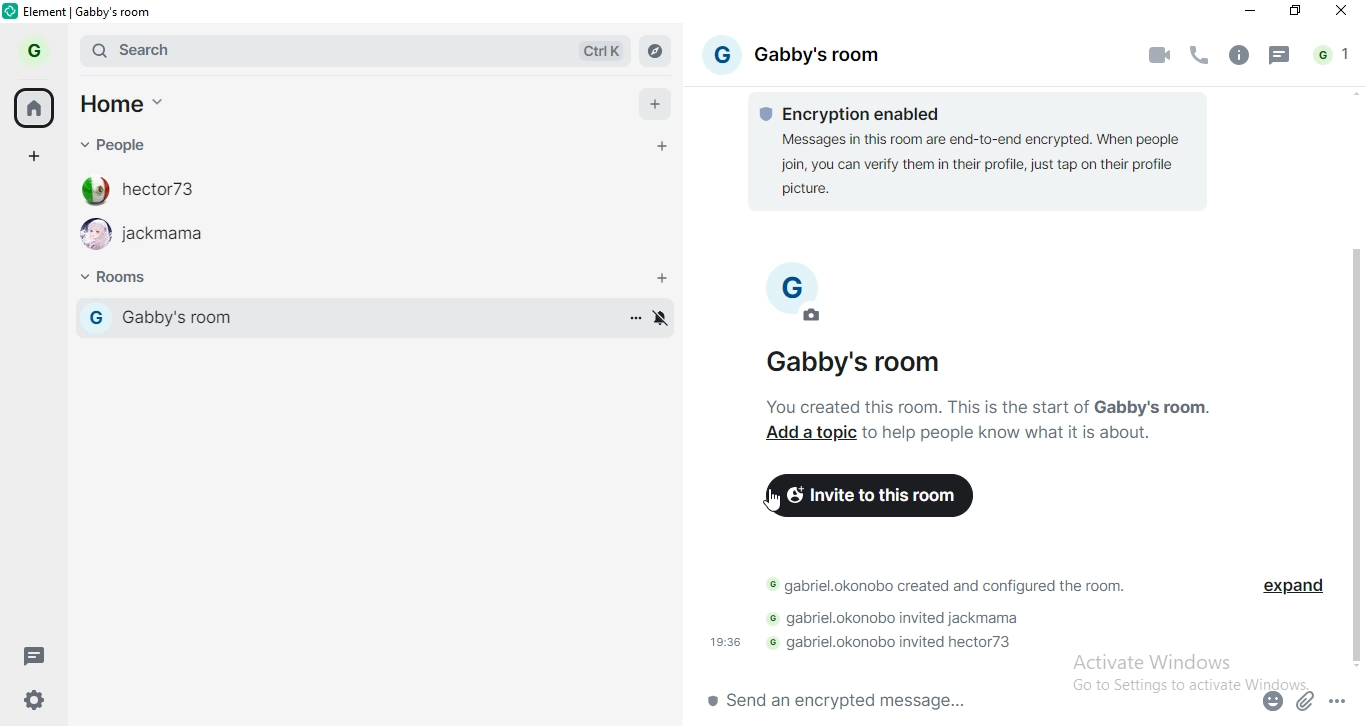 The height and width of the screenshot is (726, 1366). What do you see at coordinates (256, 53) in the screenshot?
I see `search bar` at bounding box center [256, 53].